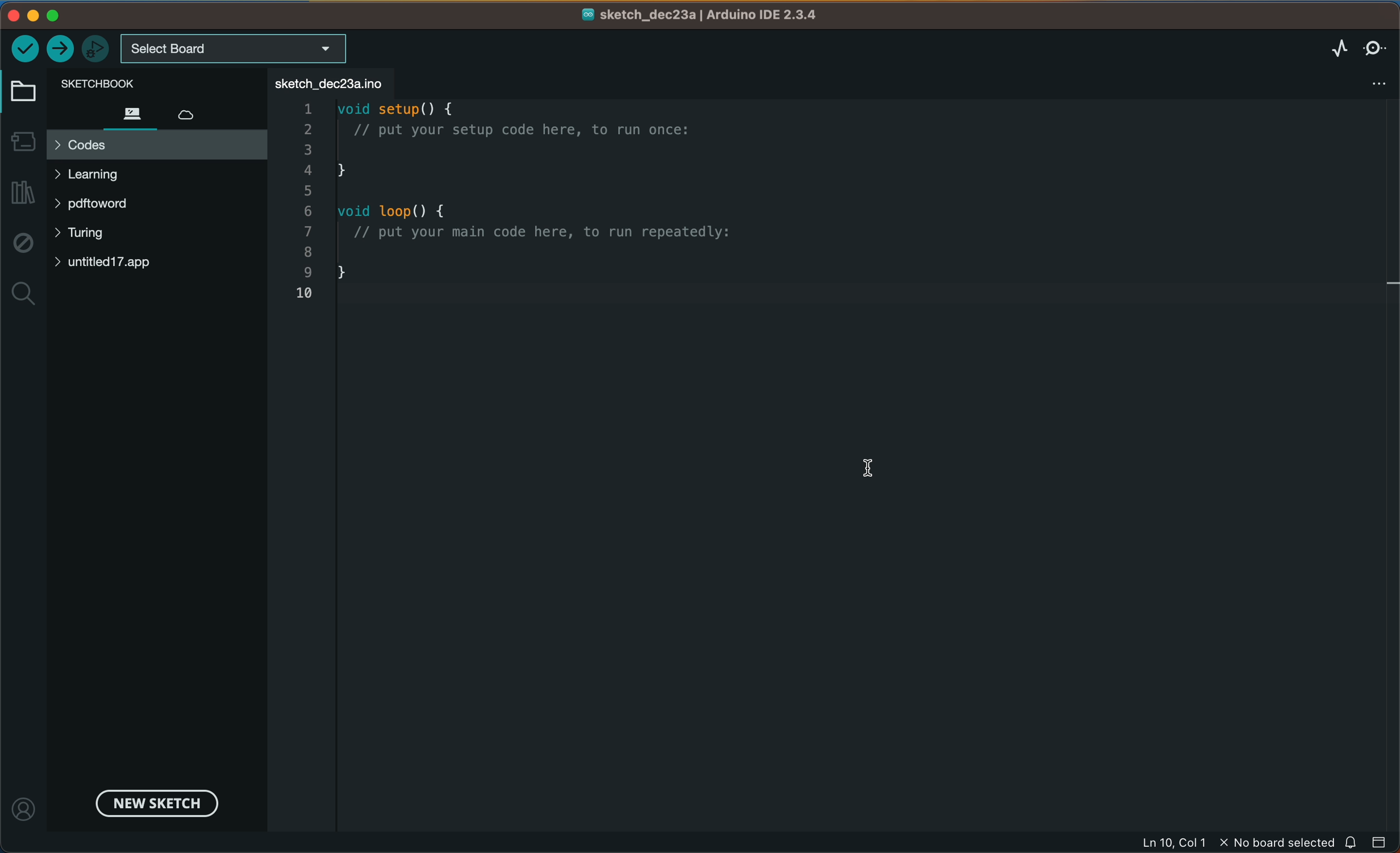 This screenshot has width=1400, height=853. What do you see at coordinates (25, 801) in the screenshot?
I see `profile` at bounding box center [25, 801].